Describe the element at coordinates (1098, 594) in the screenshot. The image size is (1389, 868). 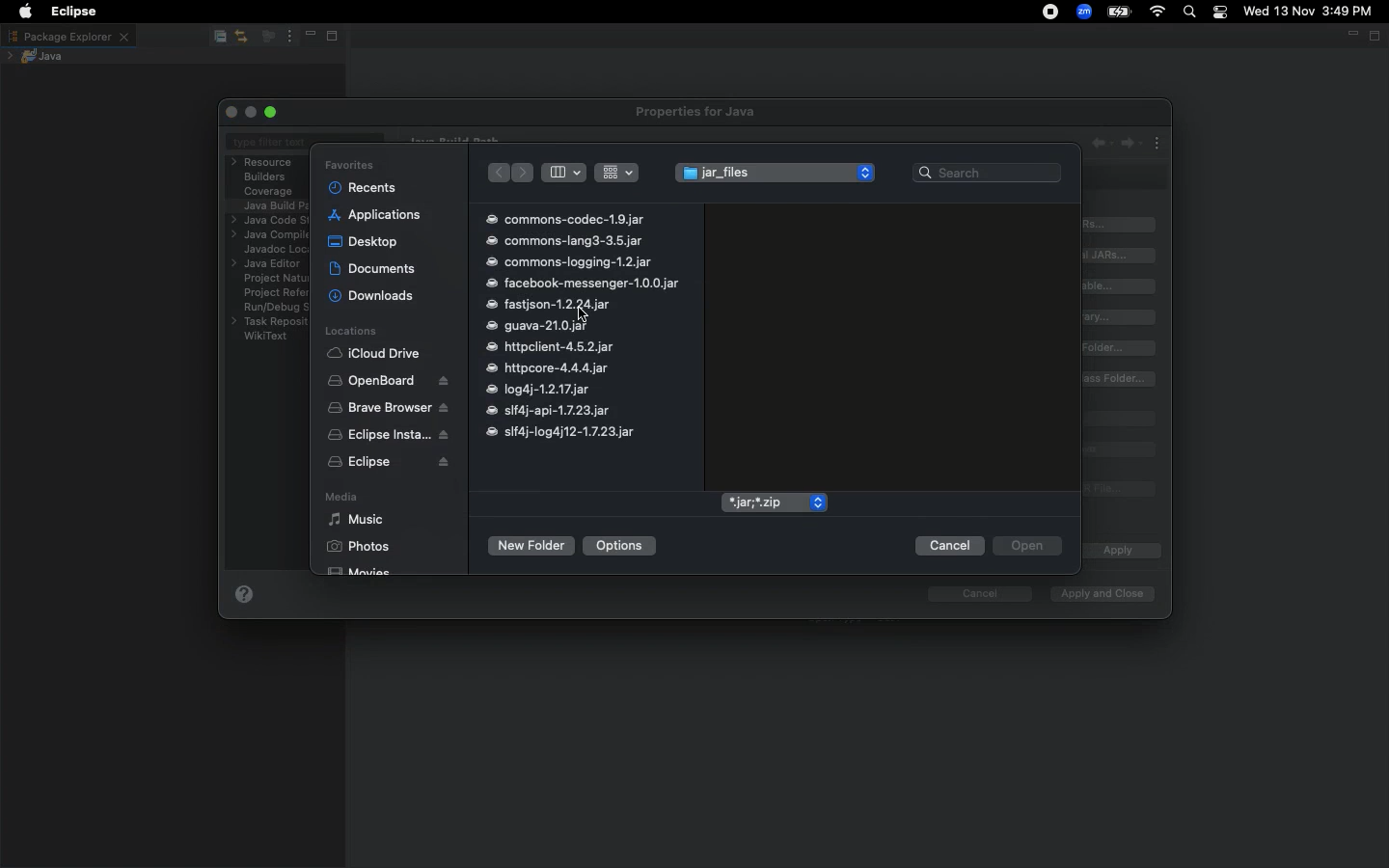
I see `Apply and close` at that location.